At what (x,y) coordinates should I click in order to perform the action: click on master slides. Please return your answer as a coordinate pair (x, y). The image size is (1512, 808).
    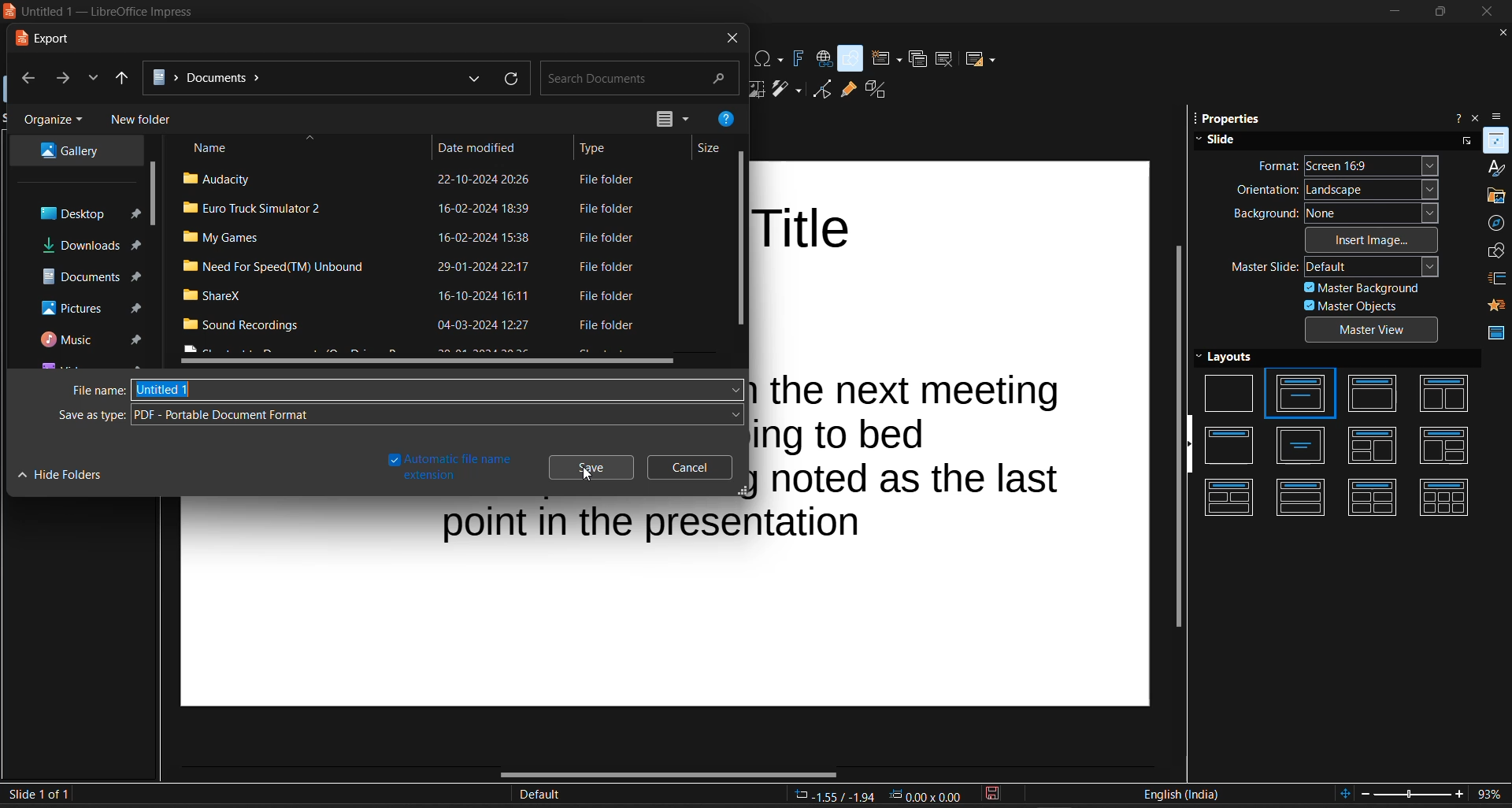
    Looking at the image, I should click on (1497, 330).